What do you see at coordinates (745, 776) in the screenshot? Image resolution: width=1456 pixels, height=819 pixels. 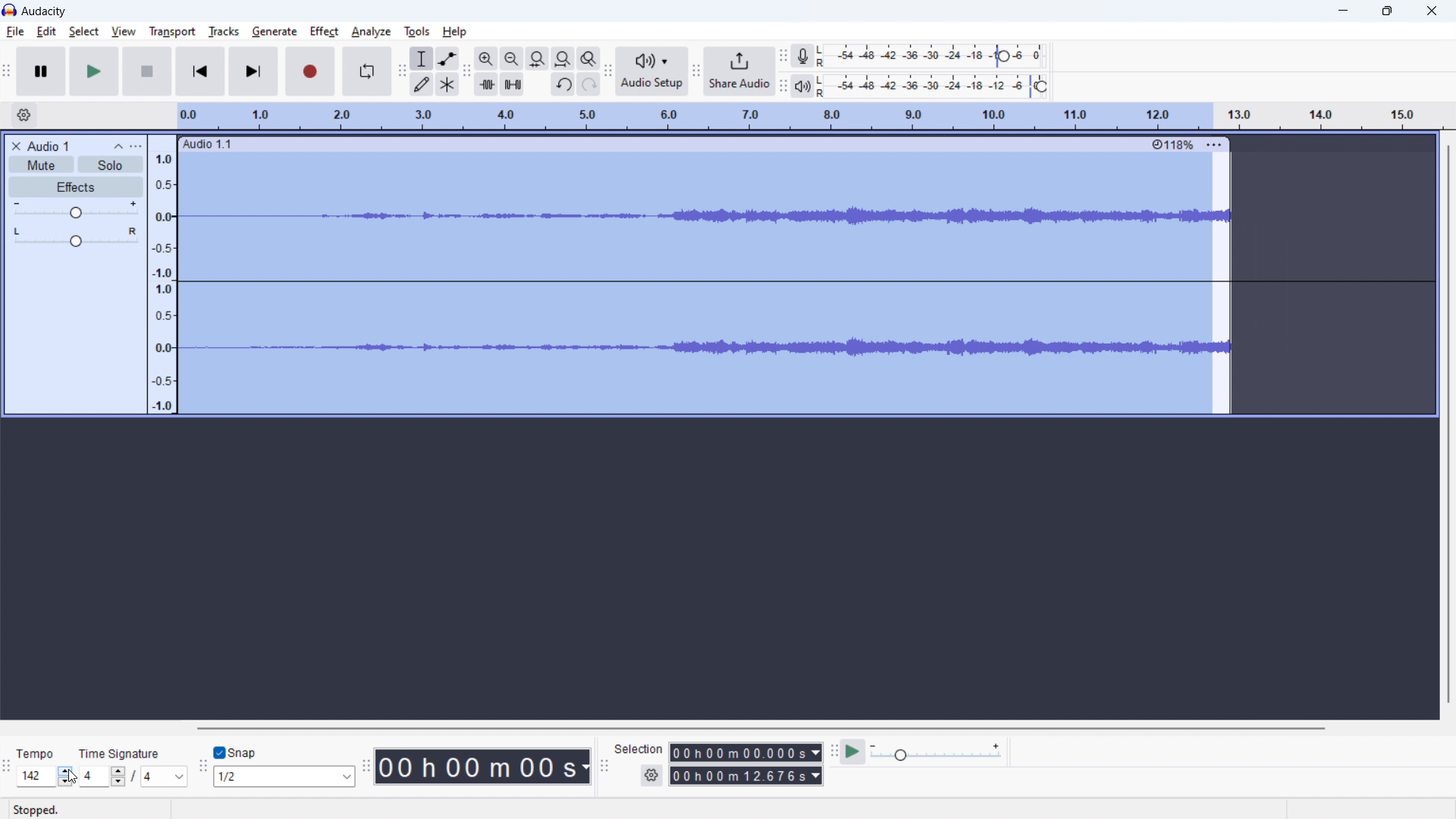 I see `end time` at bounding box center [745, 776].